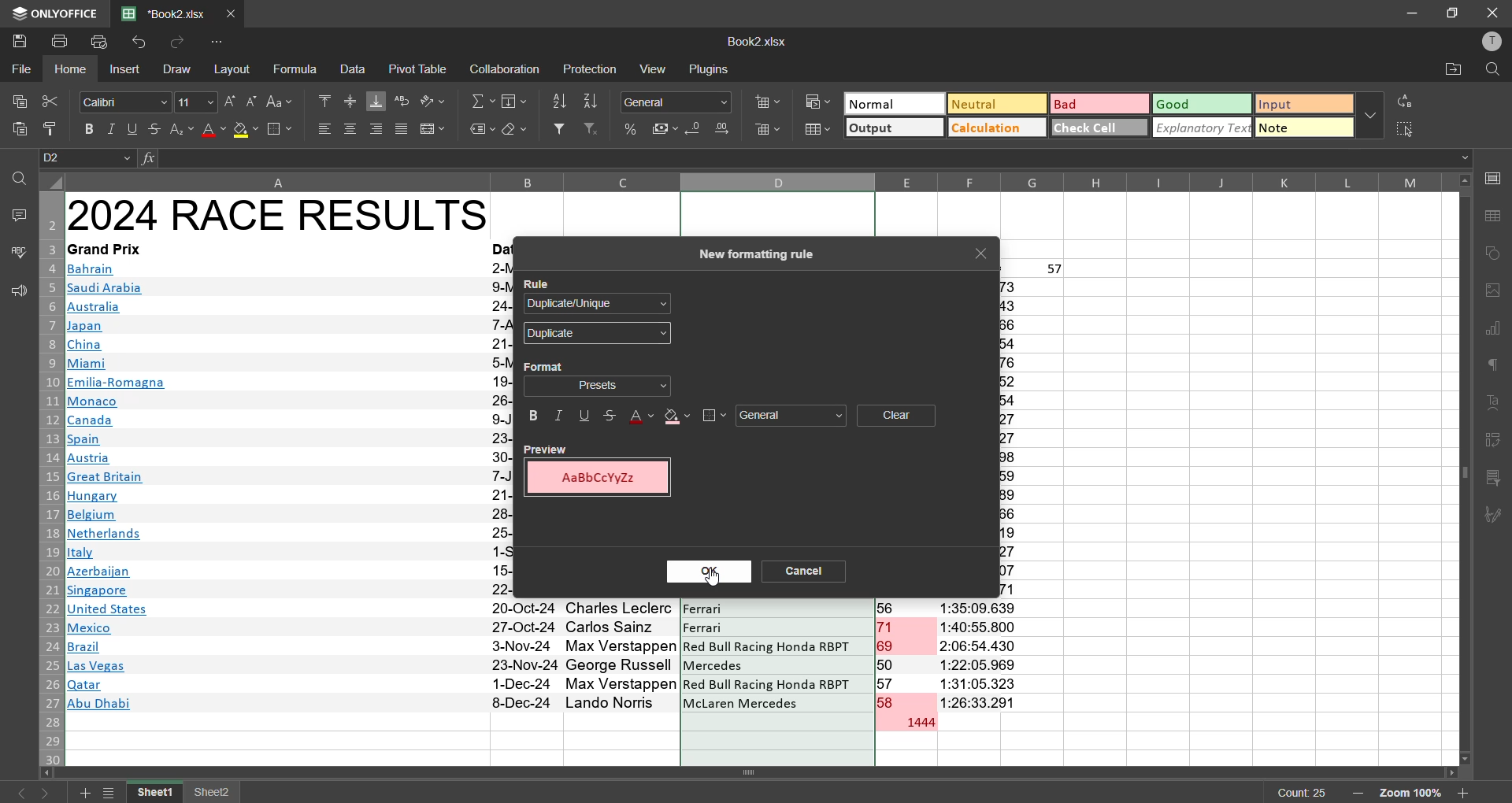  I want to click on formula, so click(298, 69).